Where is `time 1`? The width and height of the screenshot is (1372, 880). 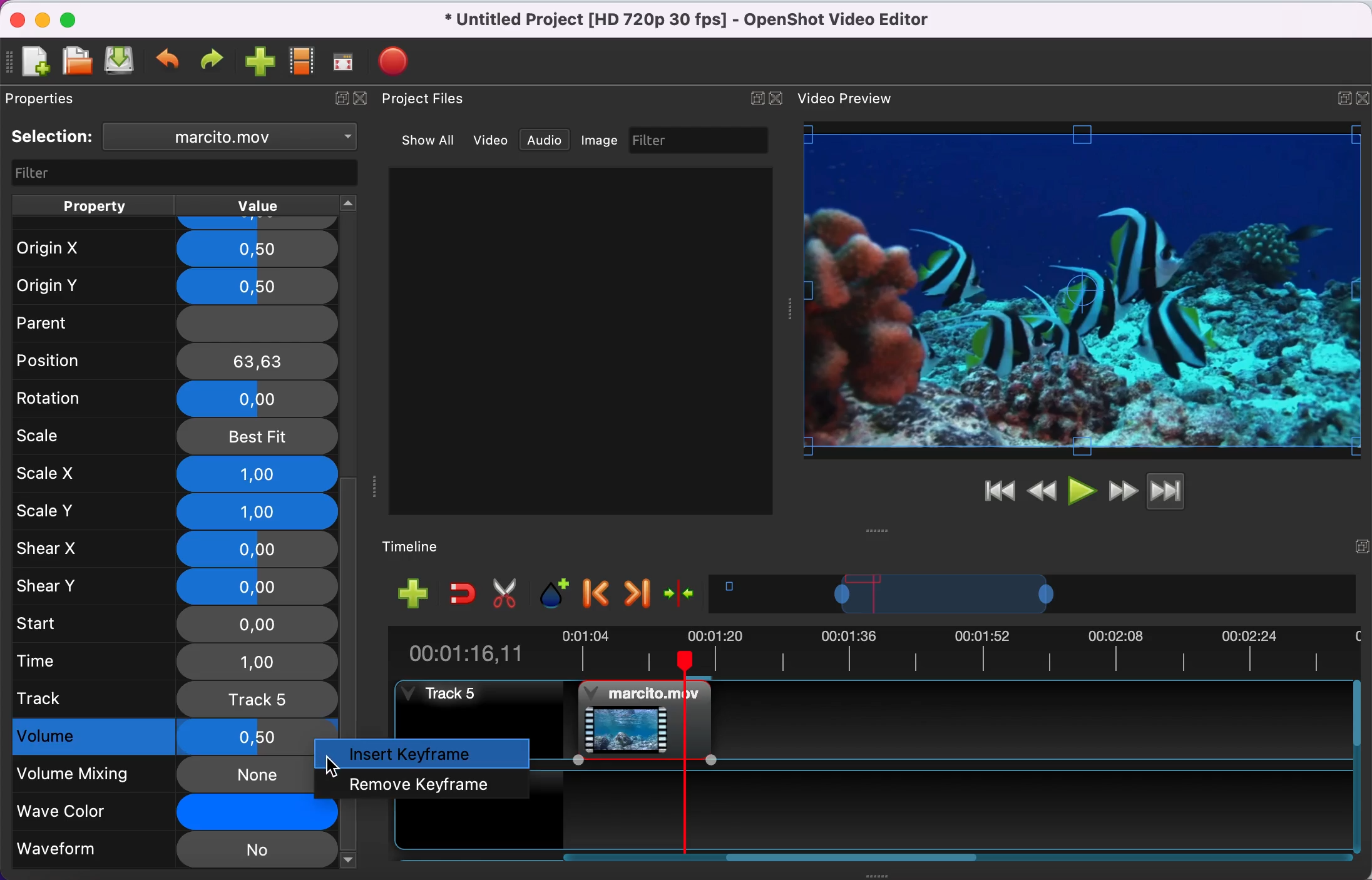 time 1 is located at coordinates (176, 661).